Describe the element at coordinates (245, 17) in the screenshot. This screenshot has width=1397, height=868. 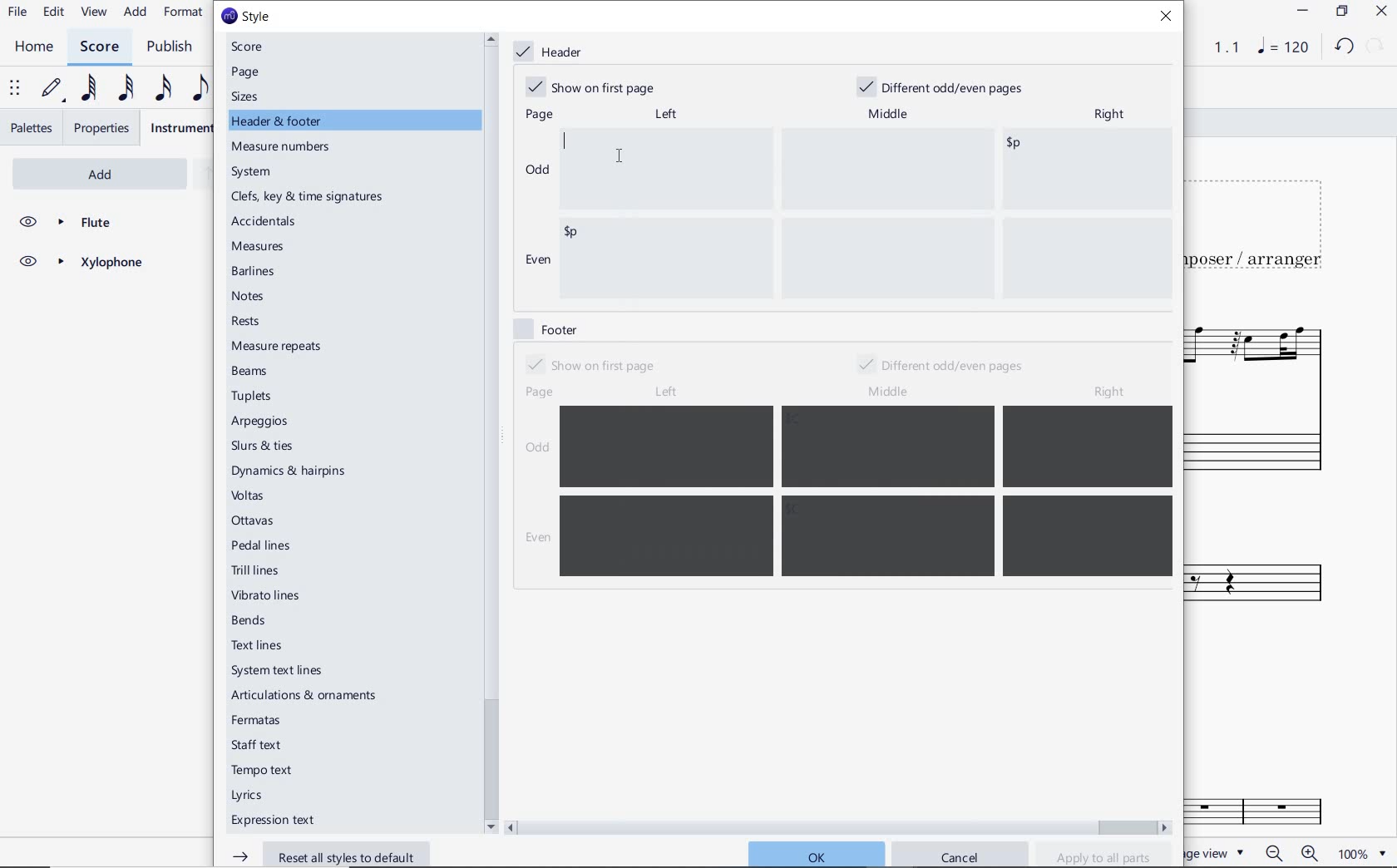
I see `style` at that location.